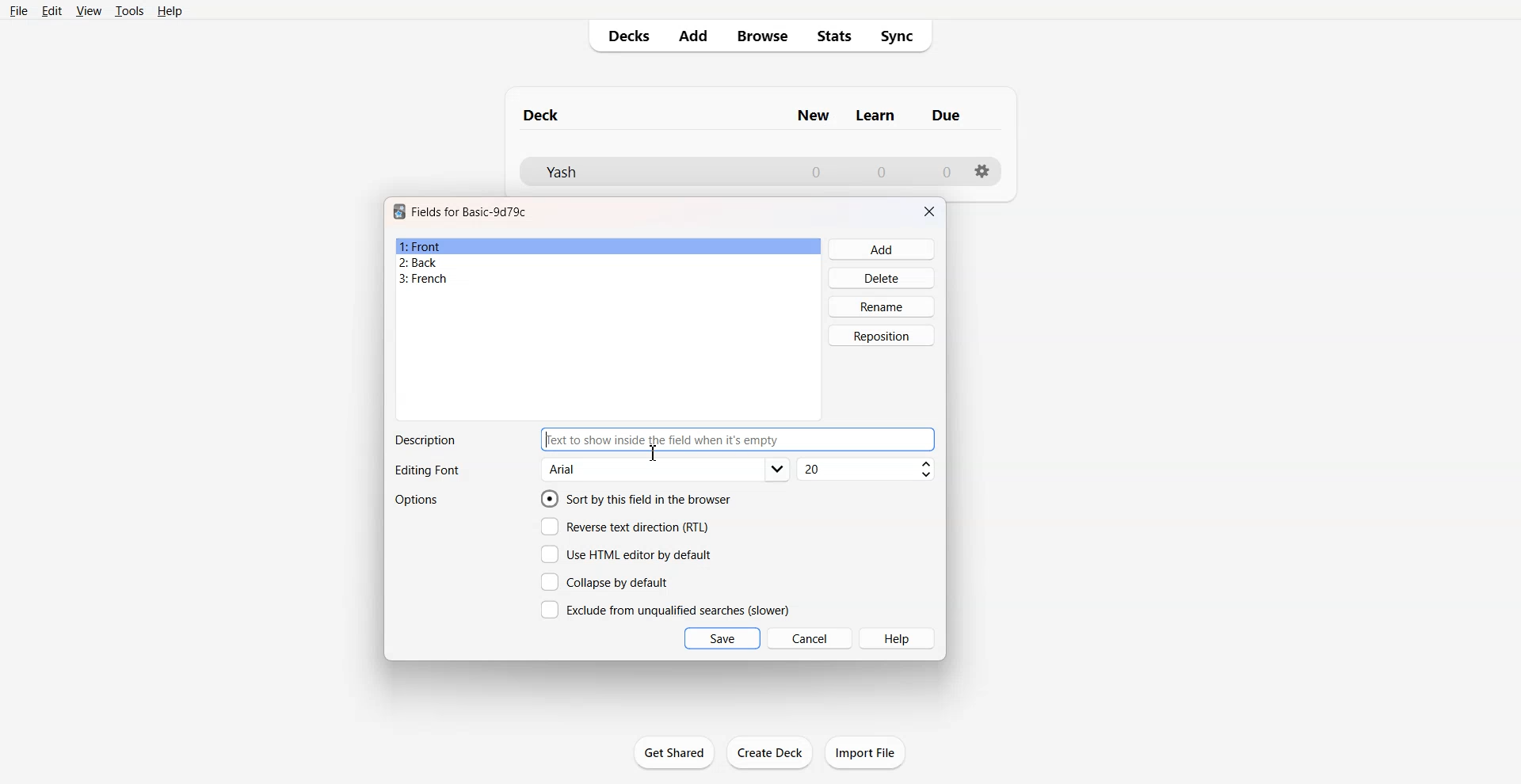 The image size is (1521, 784). What do you see at coordinates (418, 500) in the screenshot?
I see `Options` at bounding box center [418, 500].